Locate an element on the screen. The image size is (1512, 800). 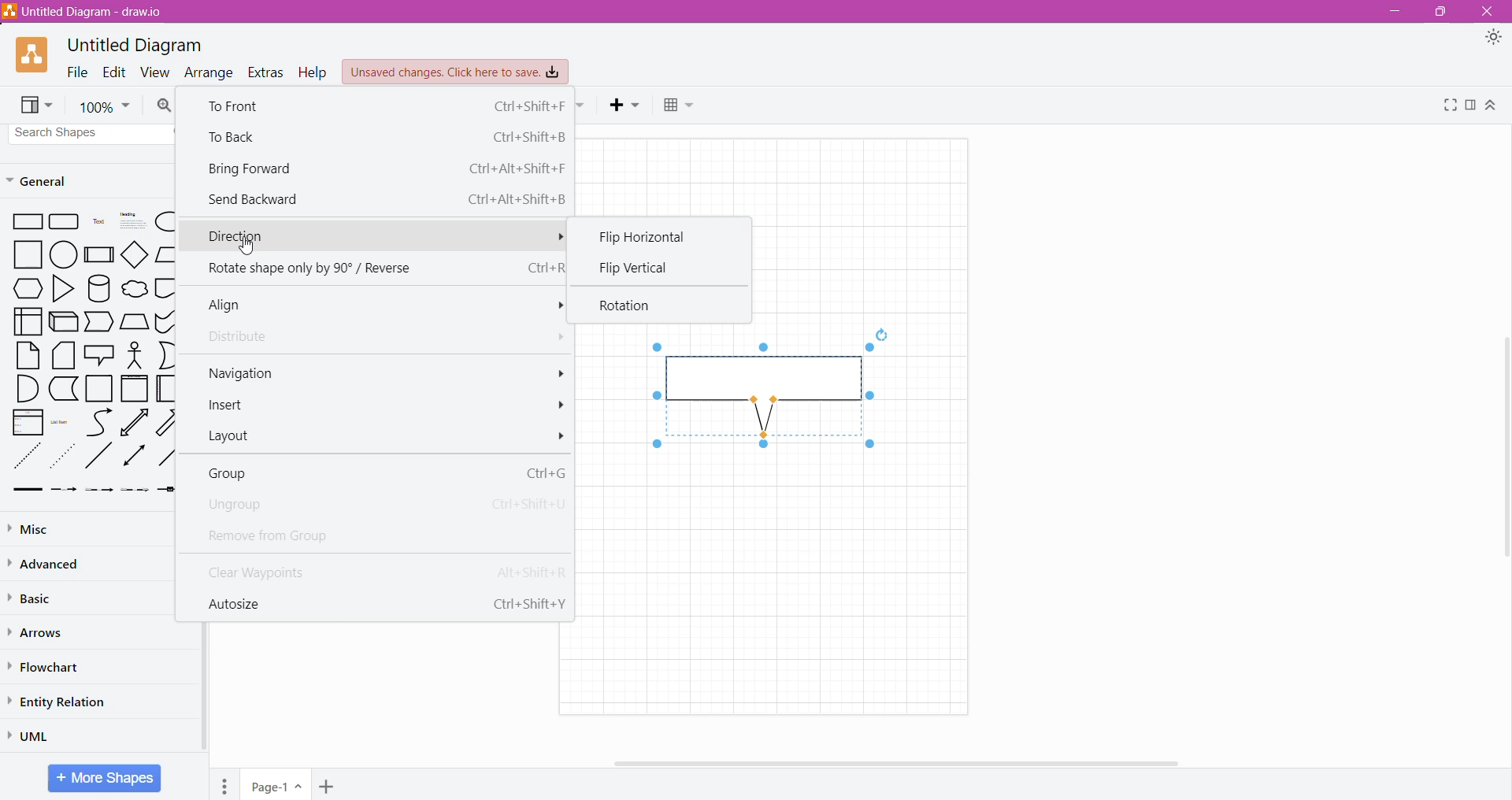
circle is located at coordinates (63, 255).